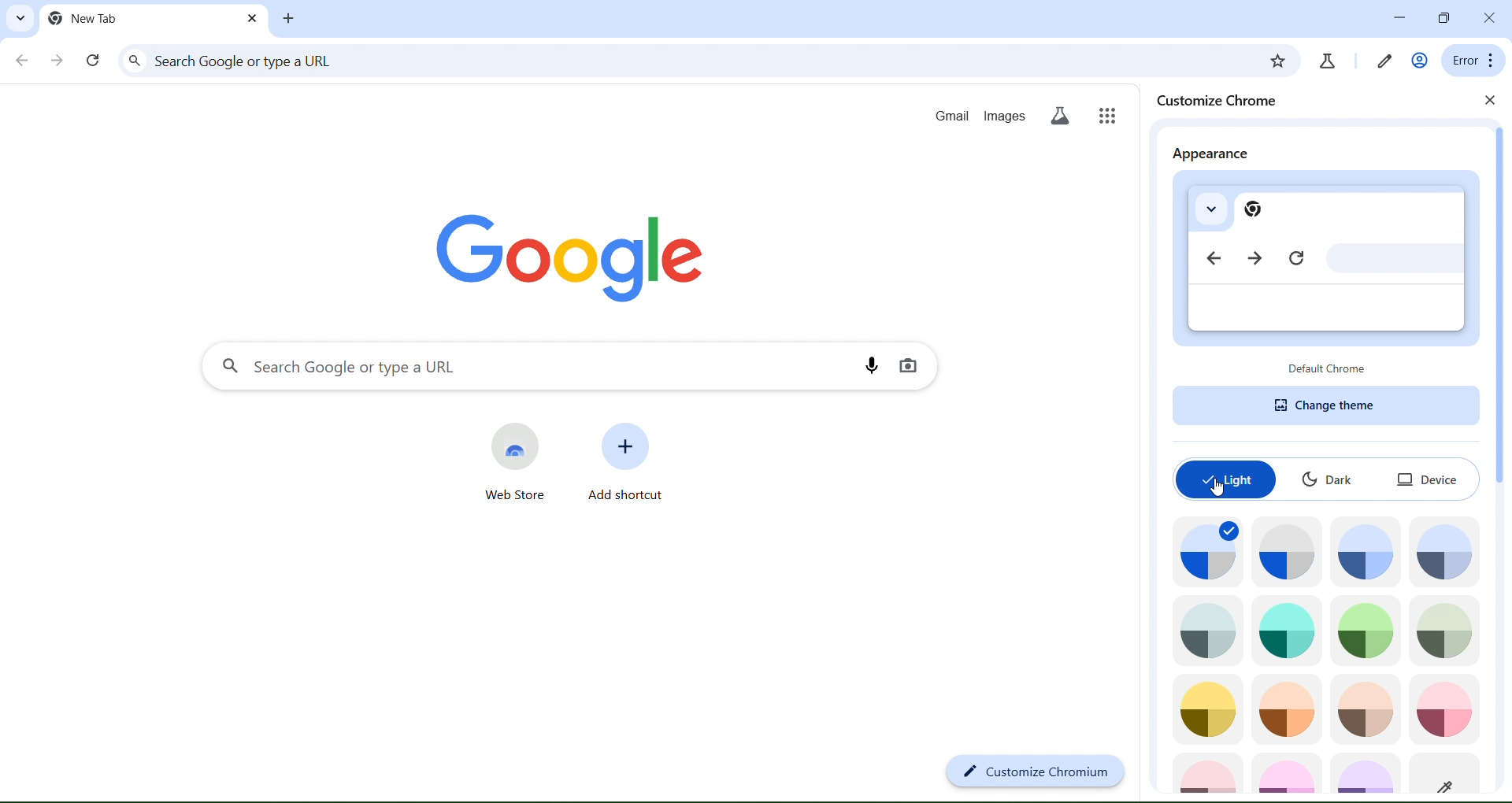 This screenshot has width=1512, height=803. What do you see at coordinates (1329, 368) in the screenshot?
I see `default chrome` at bounding box center [1329, 368].